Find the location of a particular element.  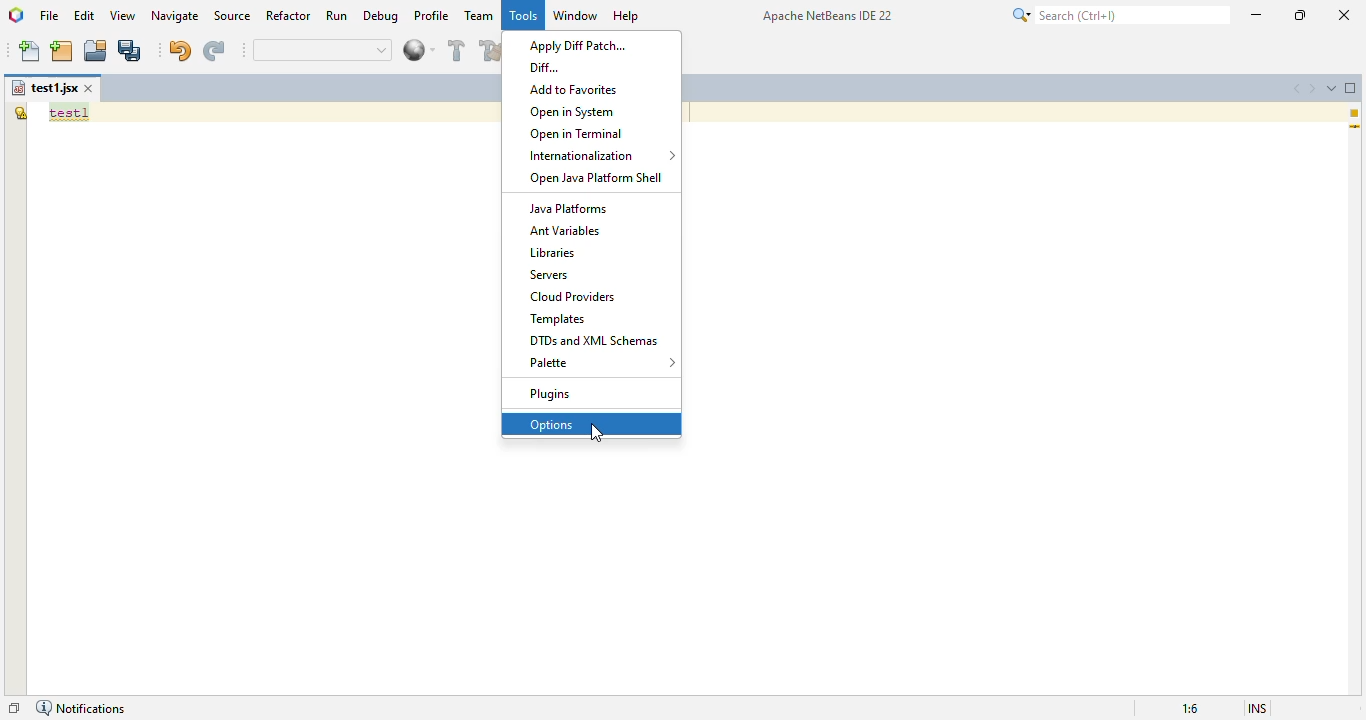

the global variable "test1" is not declared. is located at coordinates (20, 112).